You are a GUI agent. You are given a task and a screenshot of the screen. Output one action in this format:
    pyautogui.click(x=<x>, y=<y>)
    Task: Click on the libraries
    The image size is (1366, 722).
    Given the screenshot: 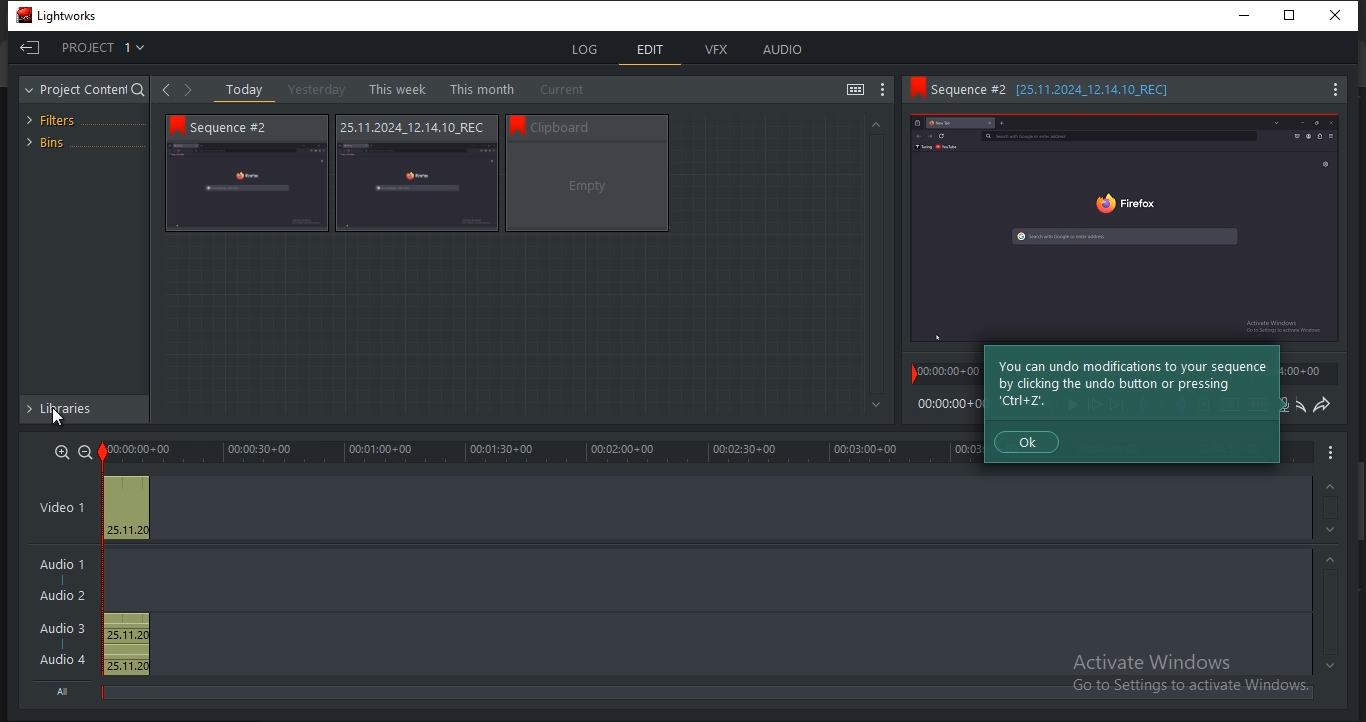 What is the action you would take?
    pyautogui.click(x=82, y=411)
    